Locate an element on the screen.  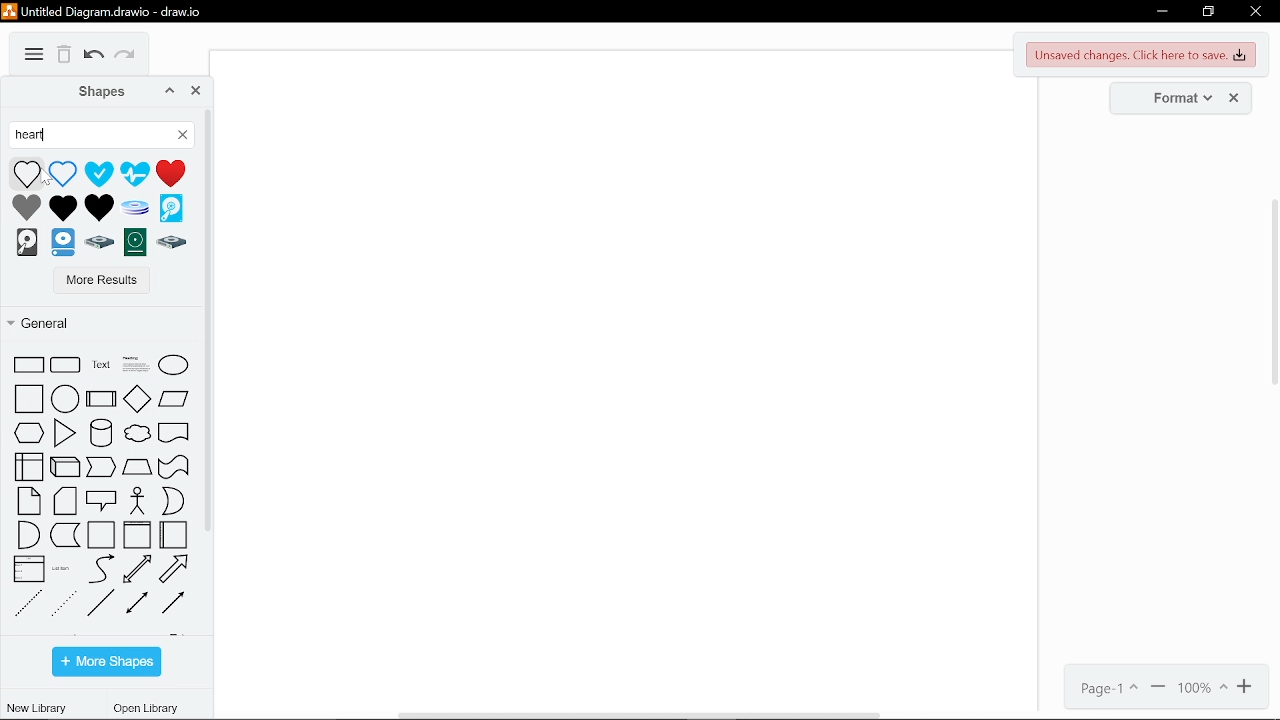
rounded rectangle is located at coordinates (66, 363).